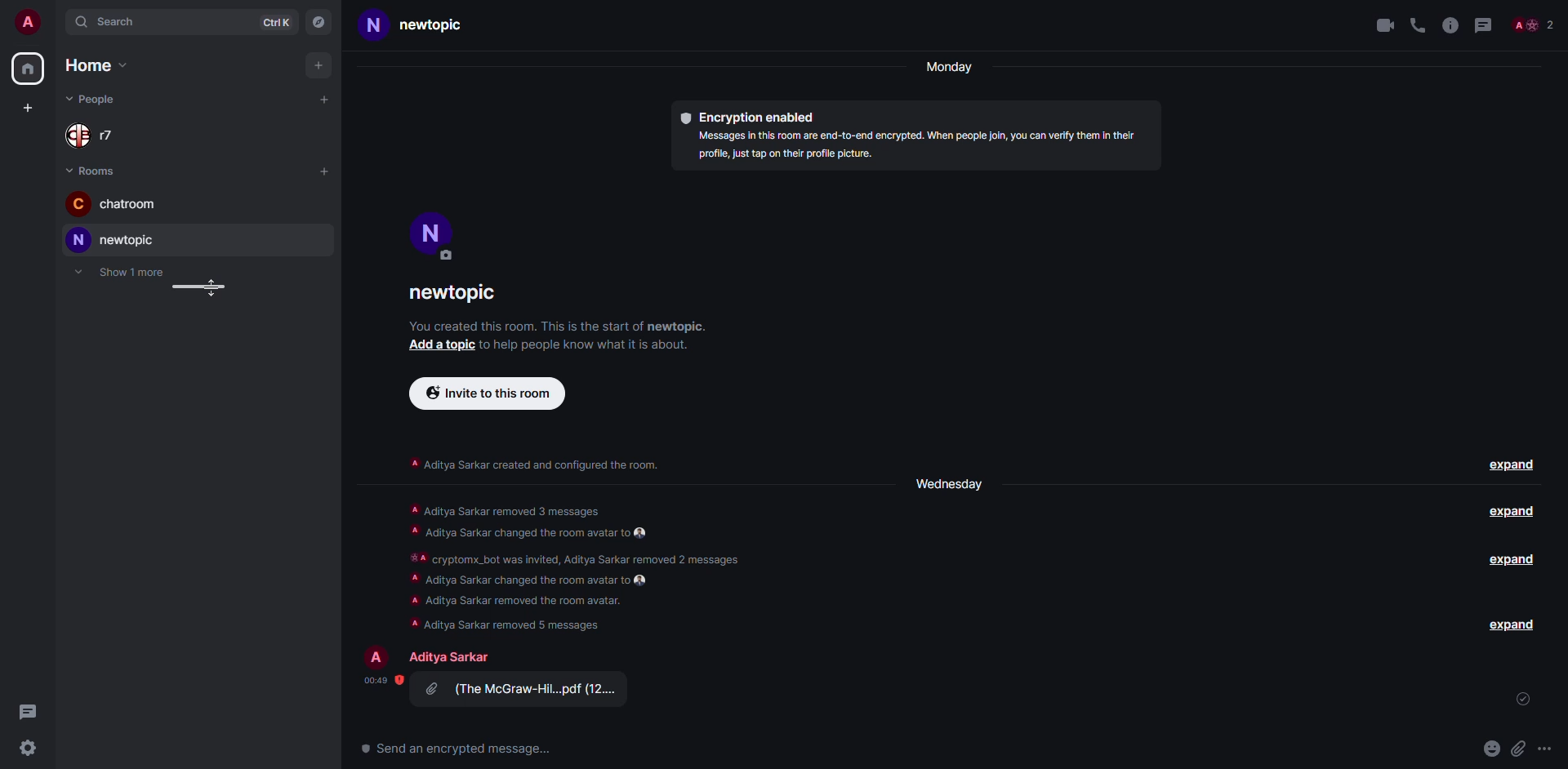 The height and width of the screenshot is (769, 1568). I want to click on A Aditya Sarkar removed 3 messages

LY TY ——

#A cryptomx_bot was invited, Aditya Sarkar removed 2 messages
A Aditya Sarkar changed the room avatar to

‘a Aditya Sarkar removed the room avatar.

‘A Aditya Sarkar removed 5 messages, so click(576, 563).